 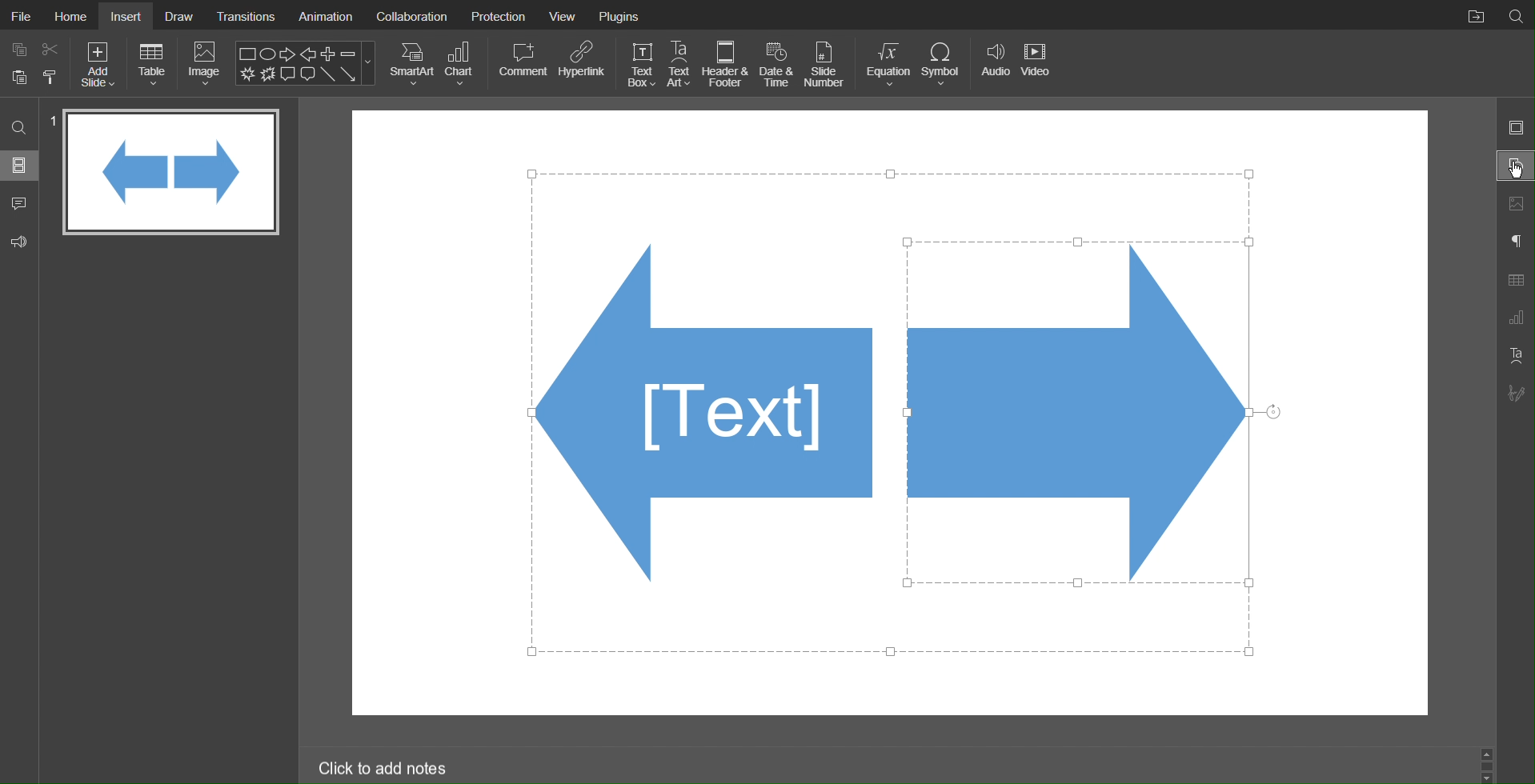 I want to click on Hyperlink, so click(x=582, y=65).